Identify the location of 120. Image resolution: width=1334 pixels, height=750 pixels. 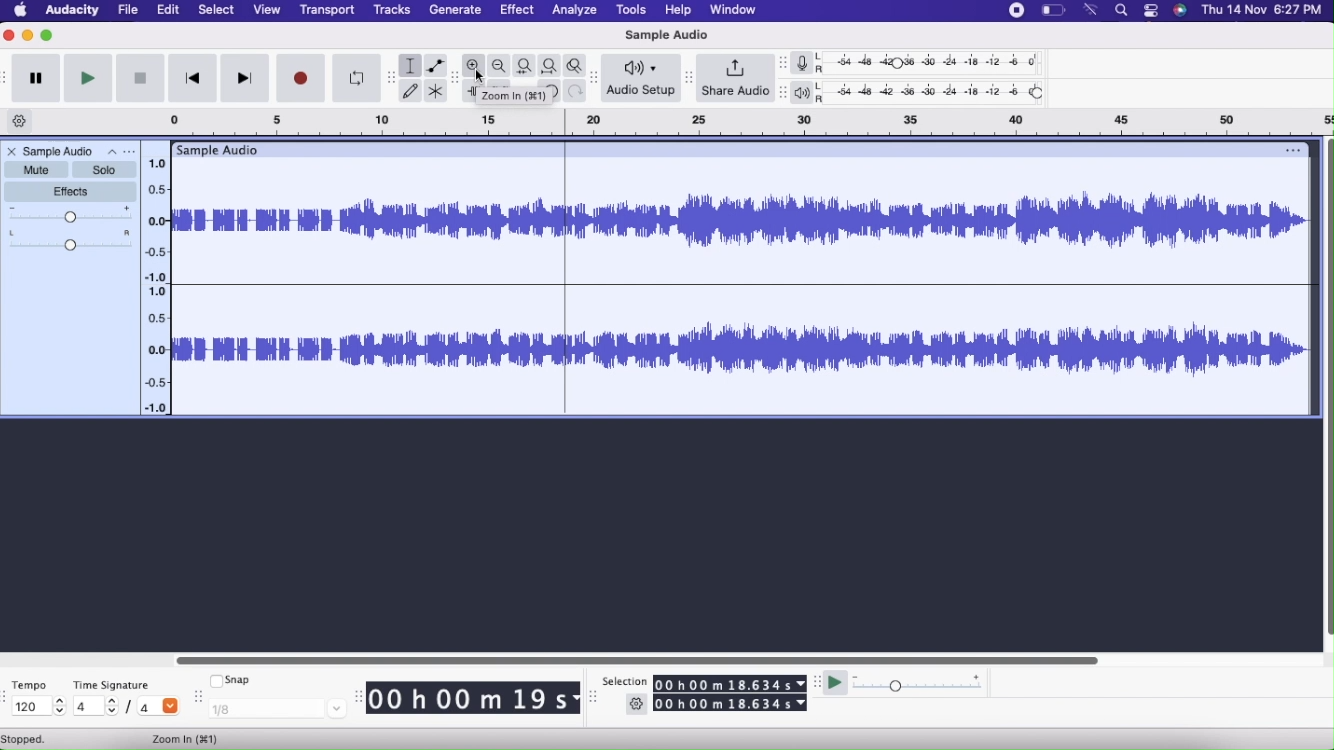
(36, 707).